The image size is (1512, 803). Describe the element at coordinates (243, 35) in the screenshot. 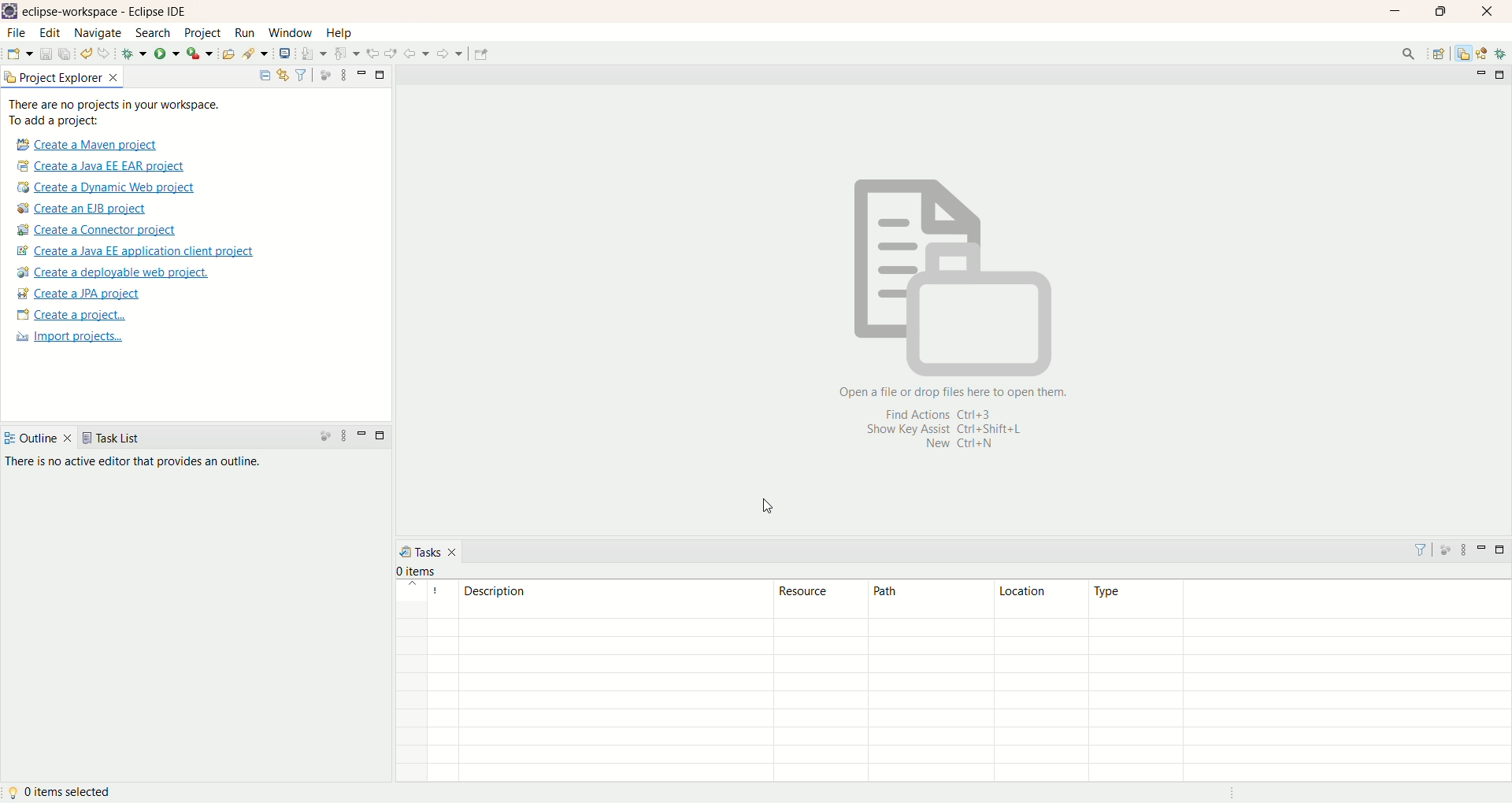

I see `run` at that location.